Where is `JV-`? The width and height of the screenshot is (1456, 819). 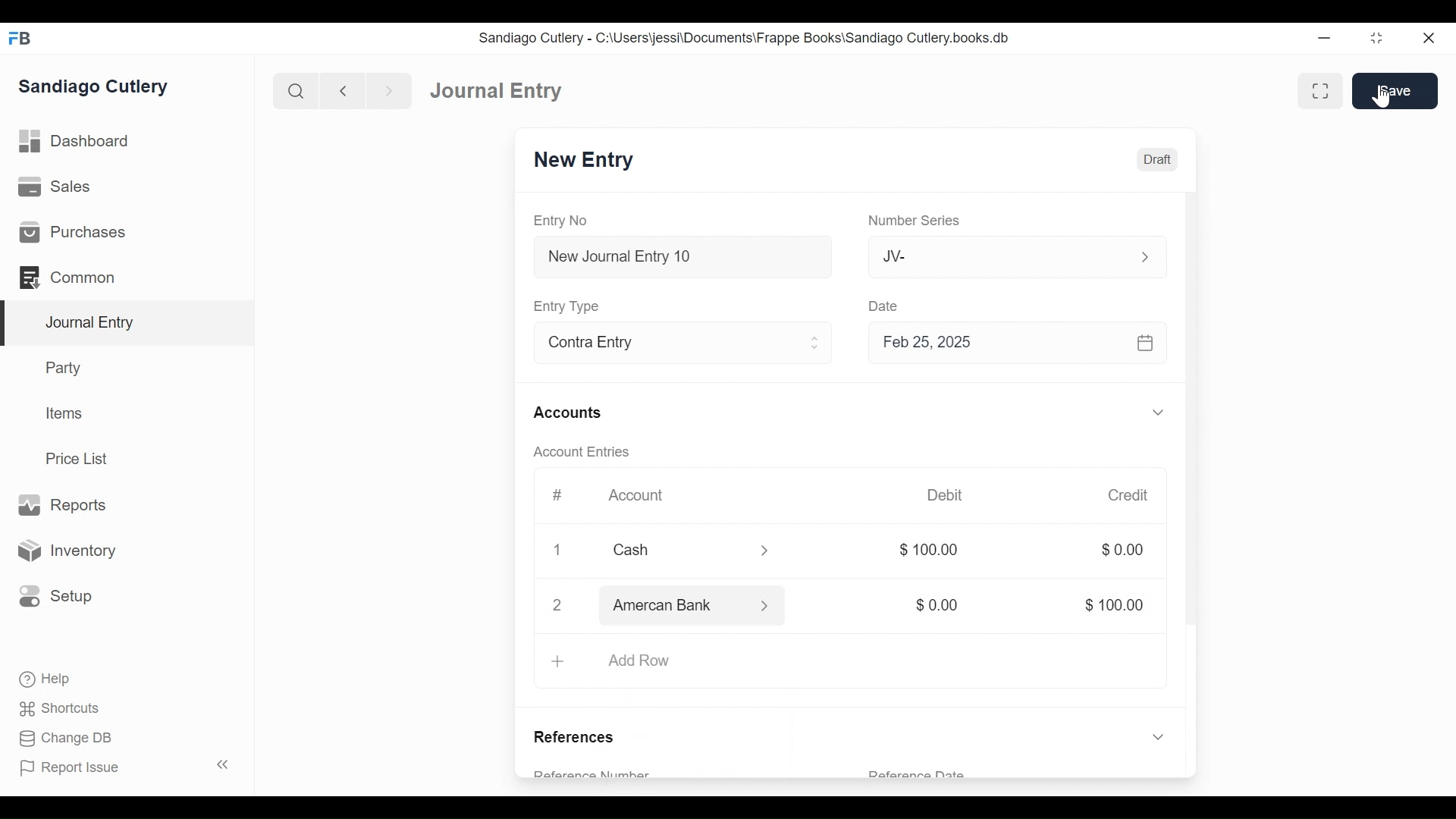
JV- is located at coordinates (998, 256).